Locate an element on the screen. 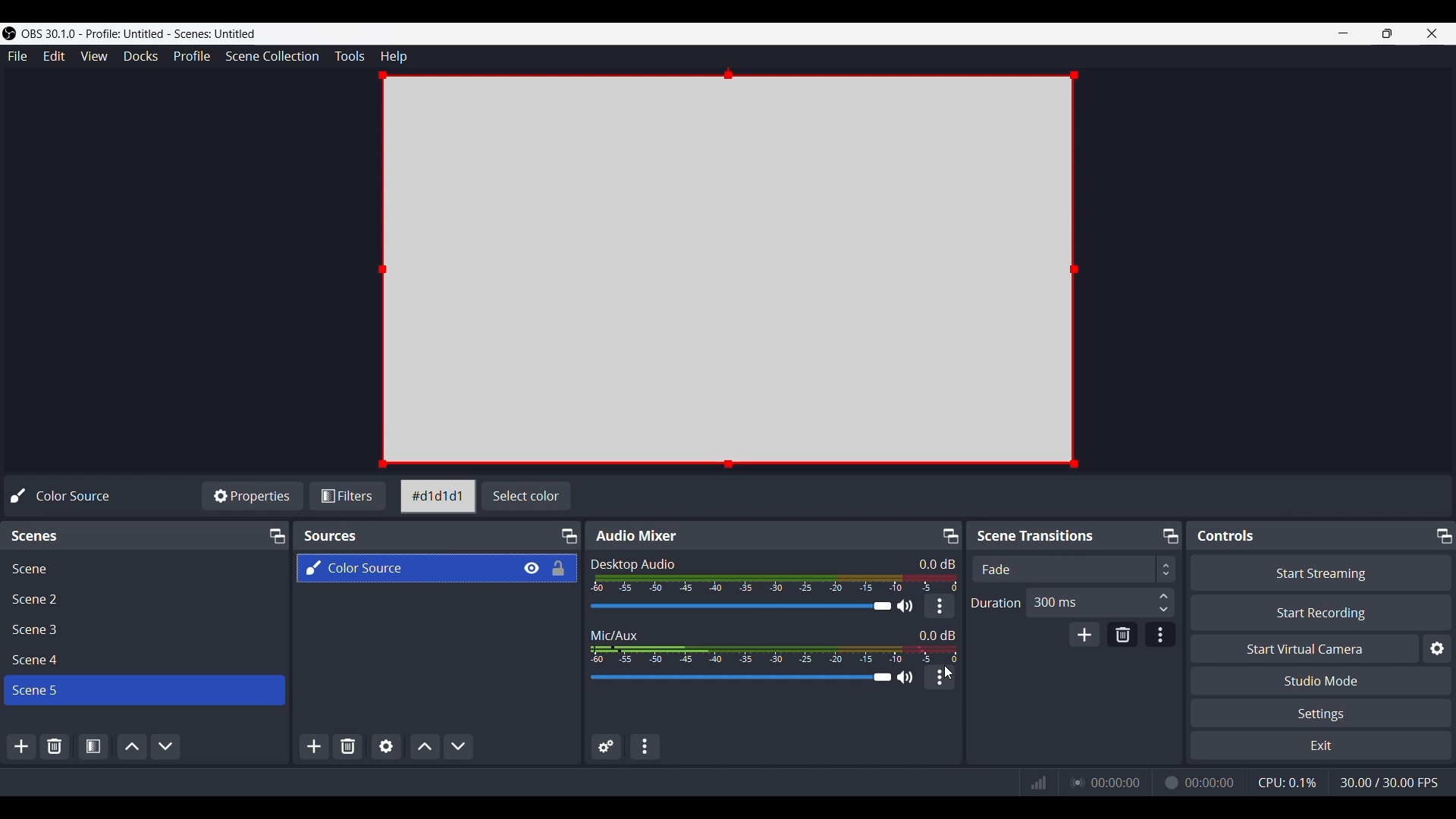 Image resolution: width=1456 pixels, height=819 pixels. Scene File is located at coordinates (143, 566).